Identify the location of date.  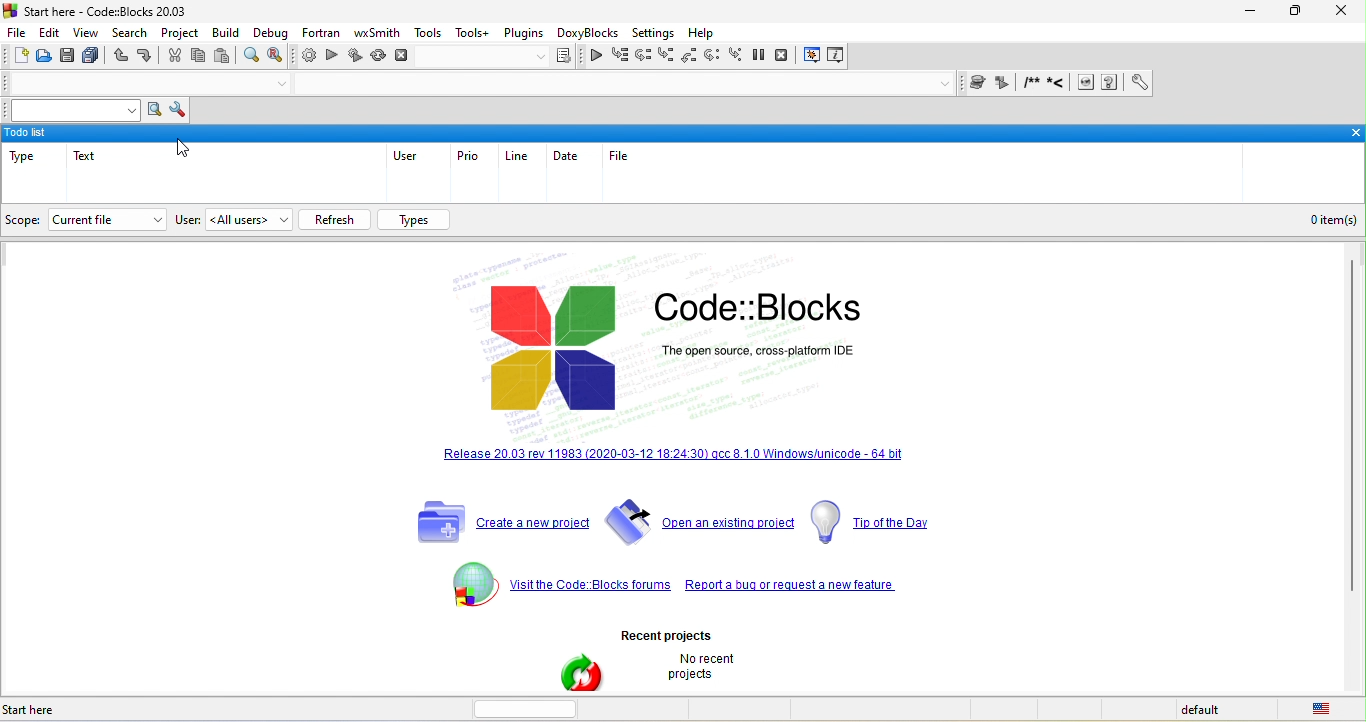
(567, 157).